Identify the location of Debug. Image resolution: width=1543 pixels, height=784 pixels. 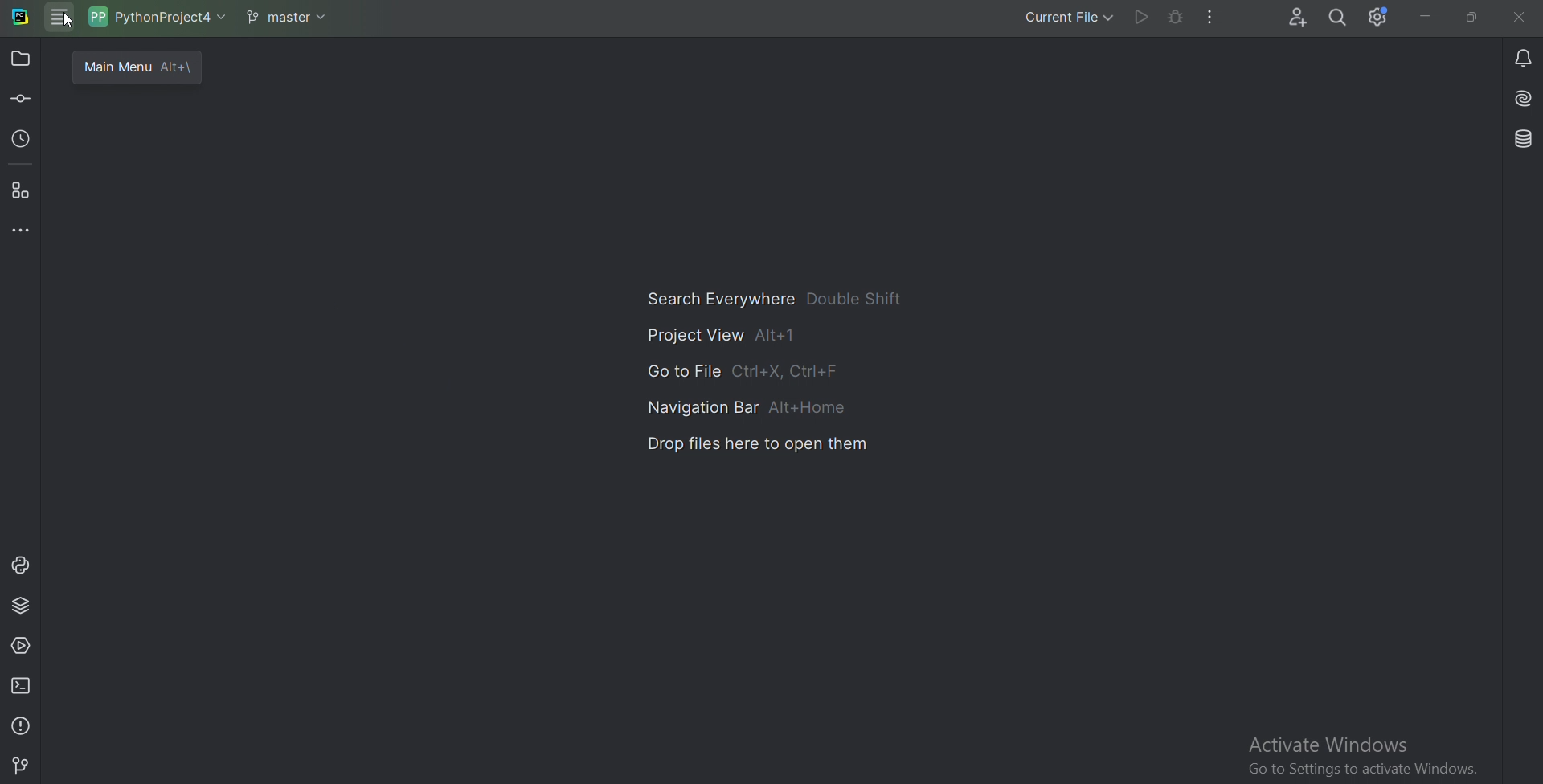
(1174, 18).